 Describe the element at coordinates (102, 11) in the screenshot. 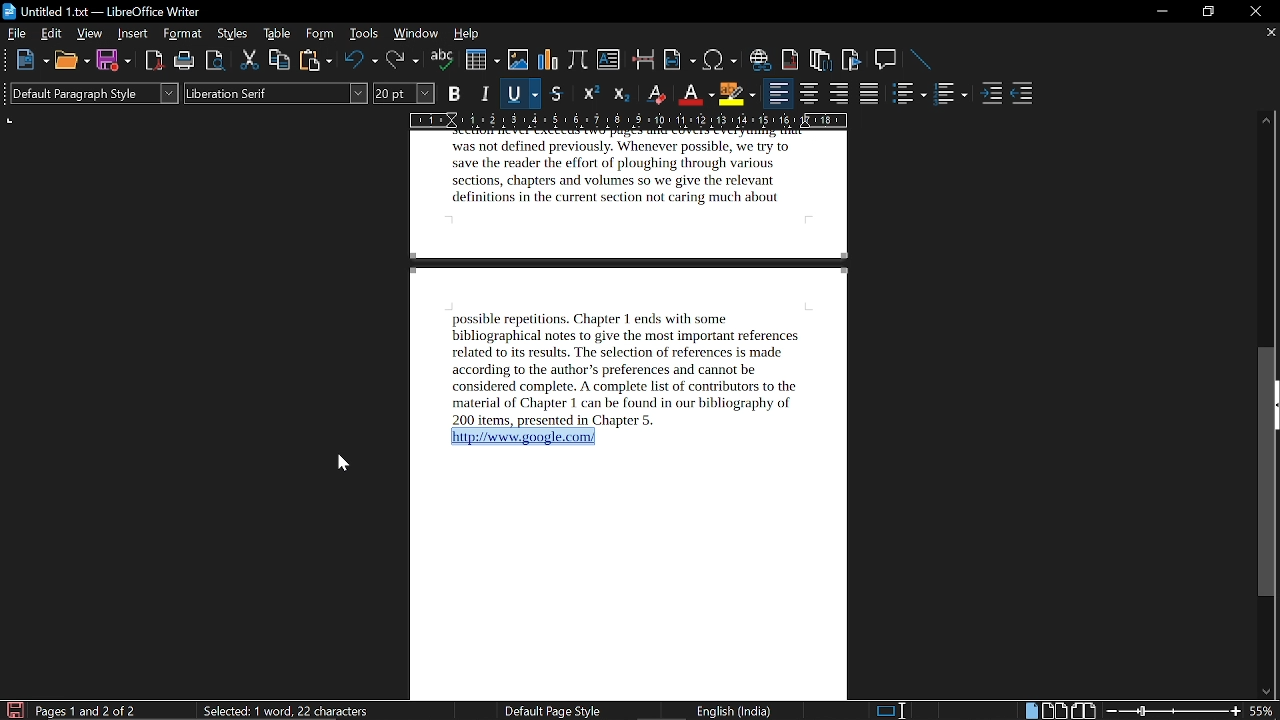

I see `current window` at that location.